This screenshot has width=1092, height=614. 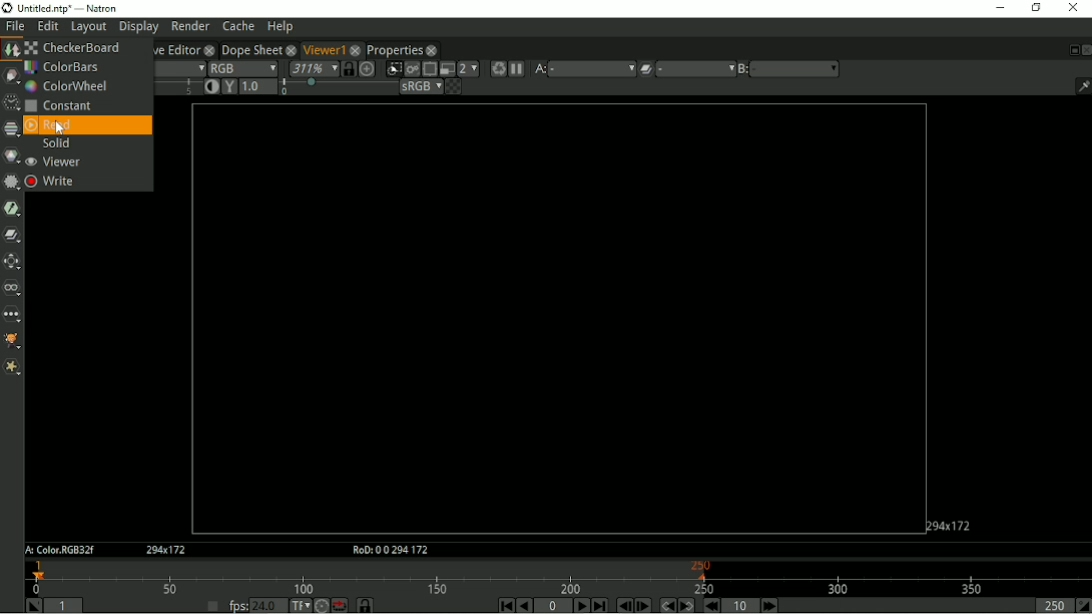 What do you see at coordinates (348, 68) in the screenshot?
I see `Synchronize ` at bounding box center [348, 68].